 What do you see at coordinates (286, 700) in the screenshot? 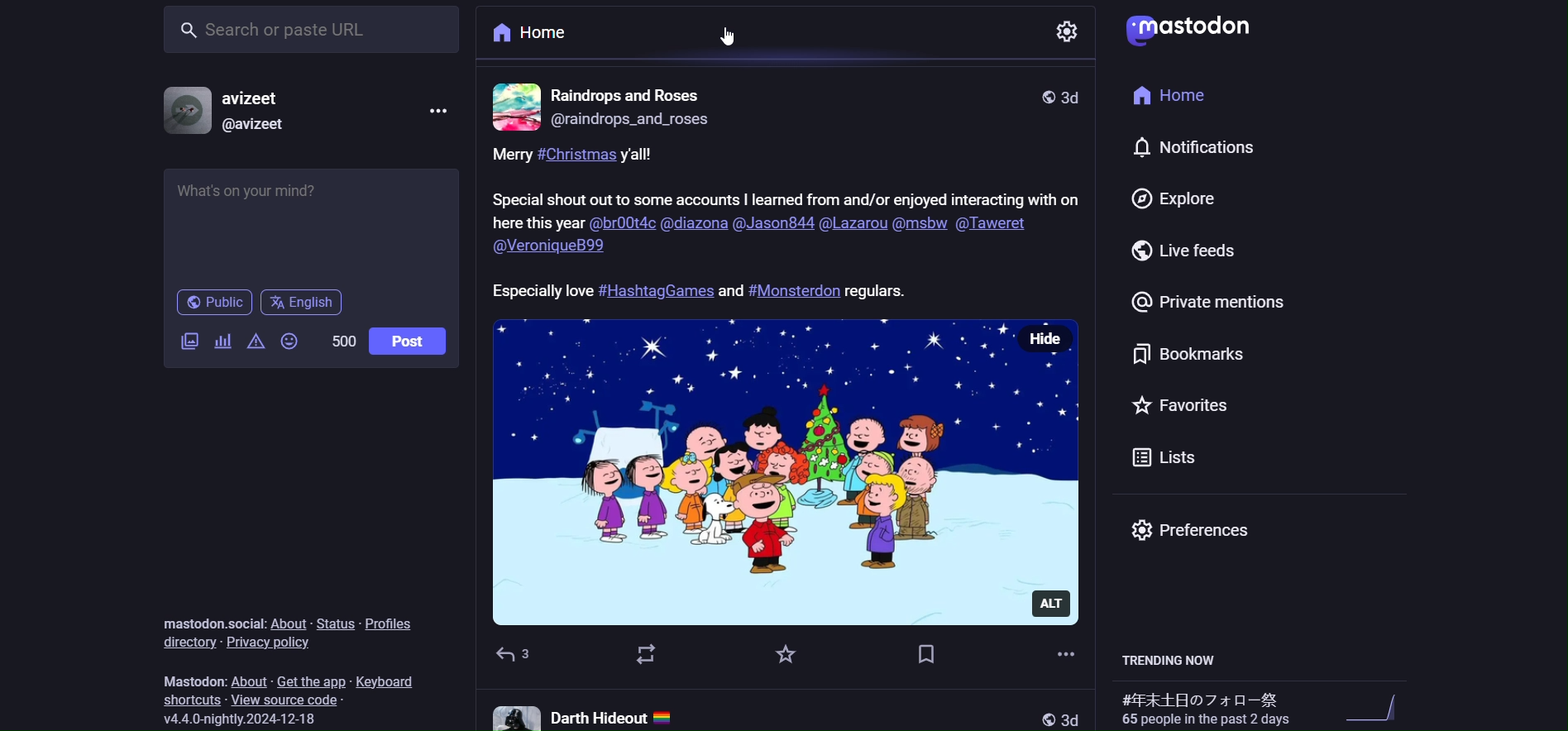
I see `source code` at bounding box center [286, 700].